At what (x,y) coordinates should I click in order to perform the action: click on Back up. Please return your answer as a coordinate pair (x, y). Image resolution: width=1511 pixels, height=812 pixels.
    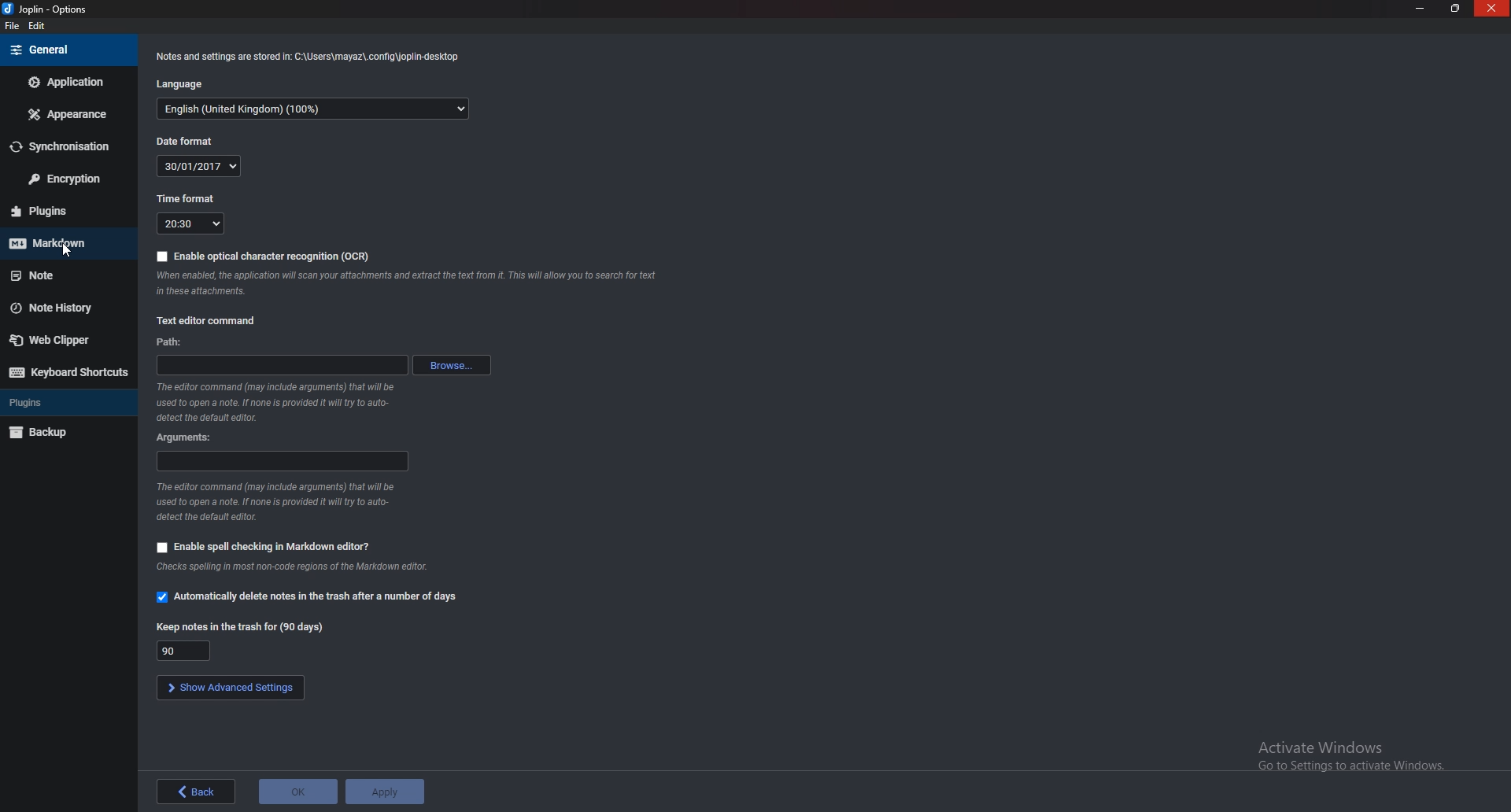
    Looking at the image, I should click on (61, 434).